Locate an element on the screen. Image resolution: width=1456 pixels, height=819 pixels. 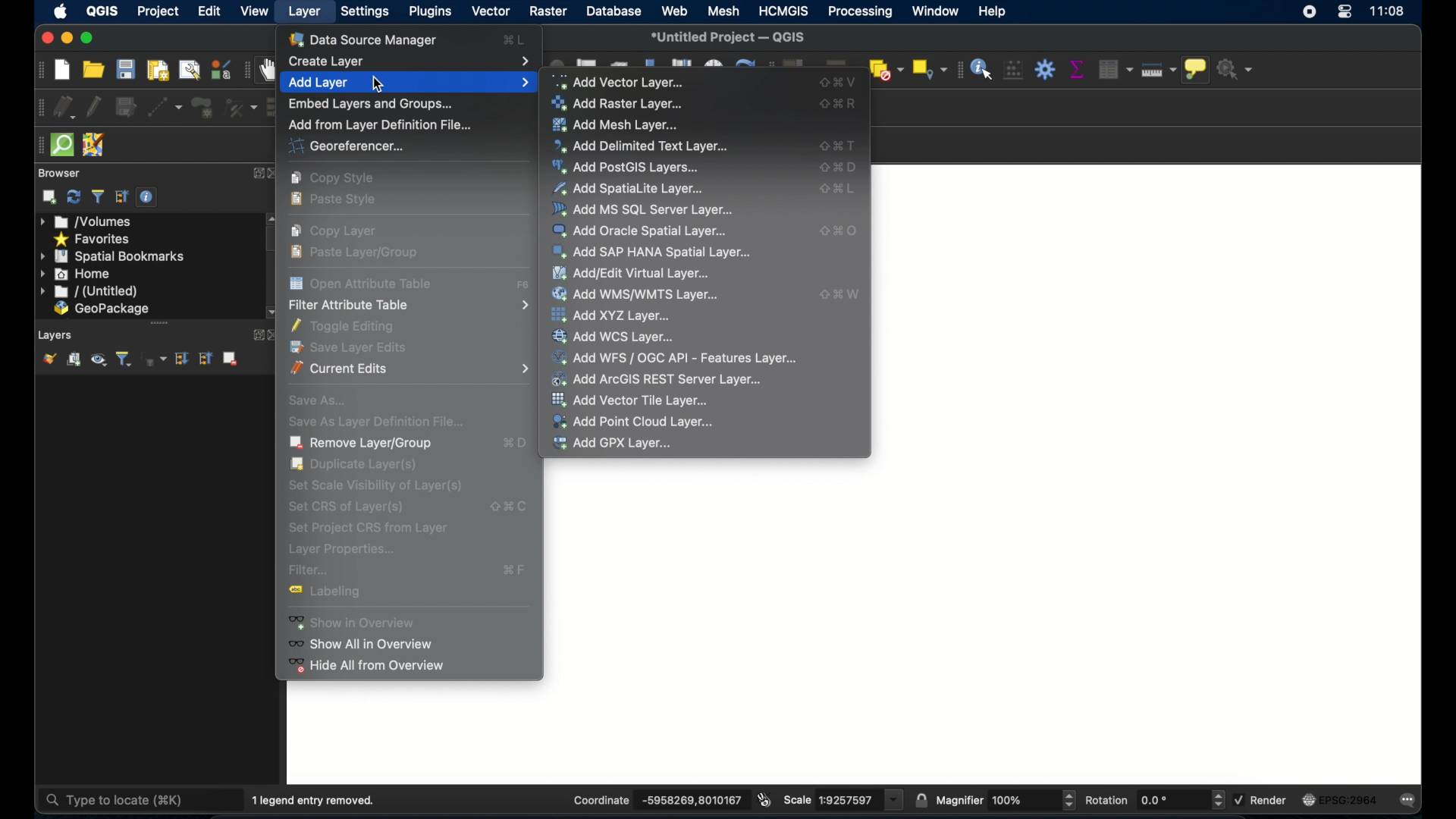
plugins is located at coordinates (429, 12).